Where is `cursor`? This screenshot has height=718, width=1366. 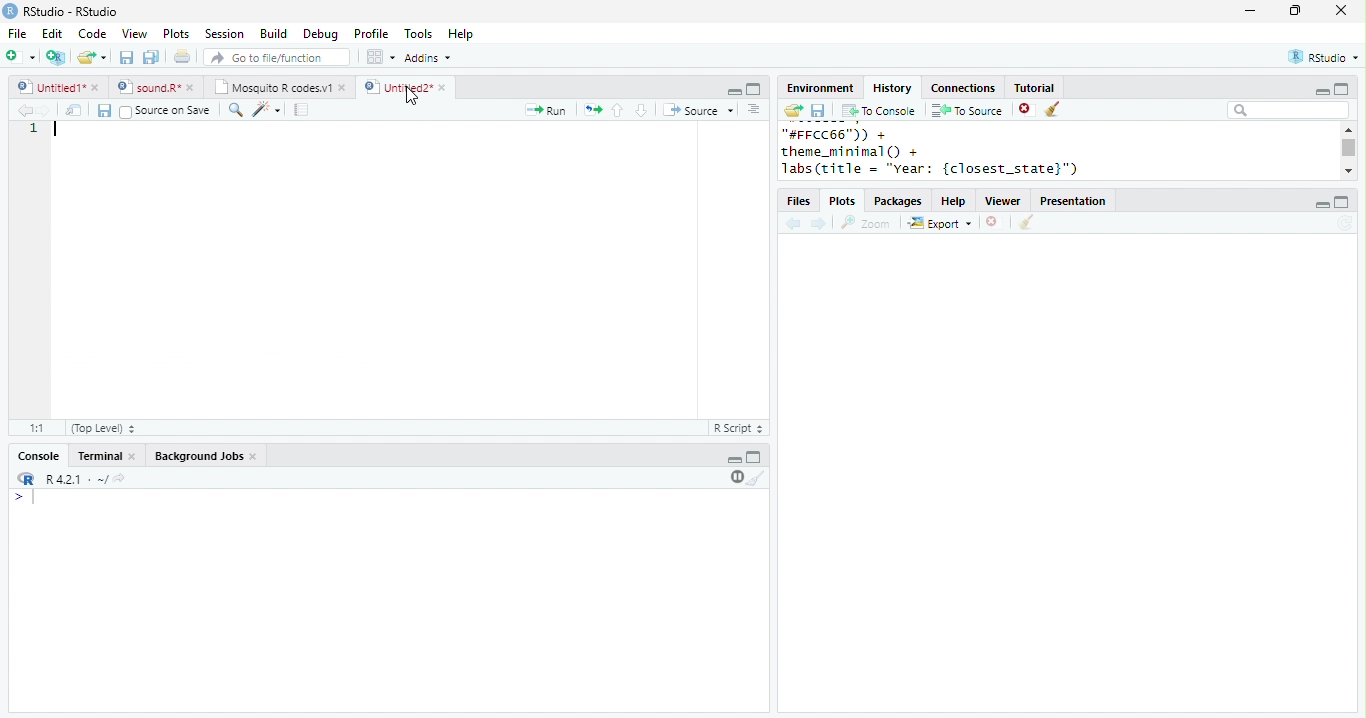
cursor is located at coordinates (59, 129).